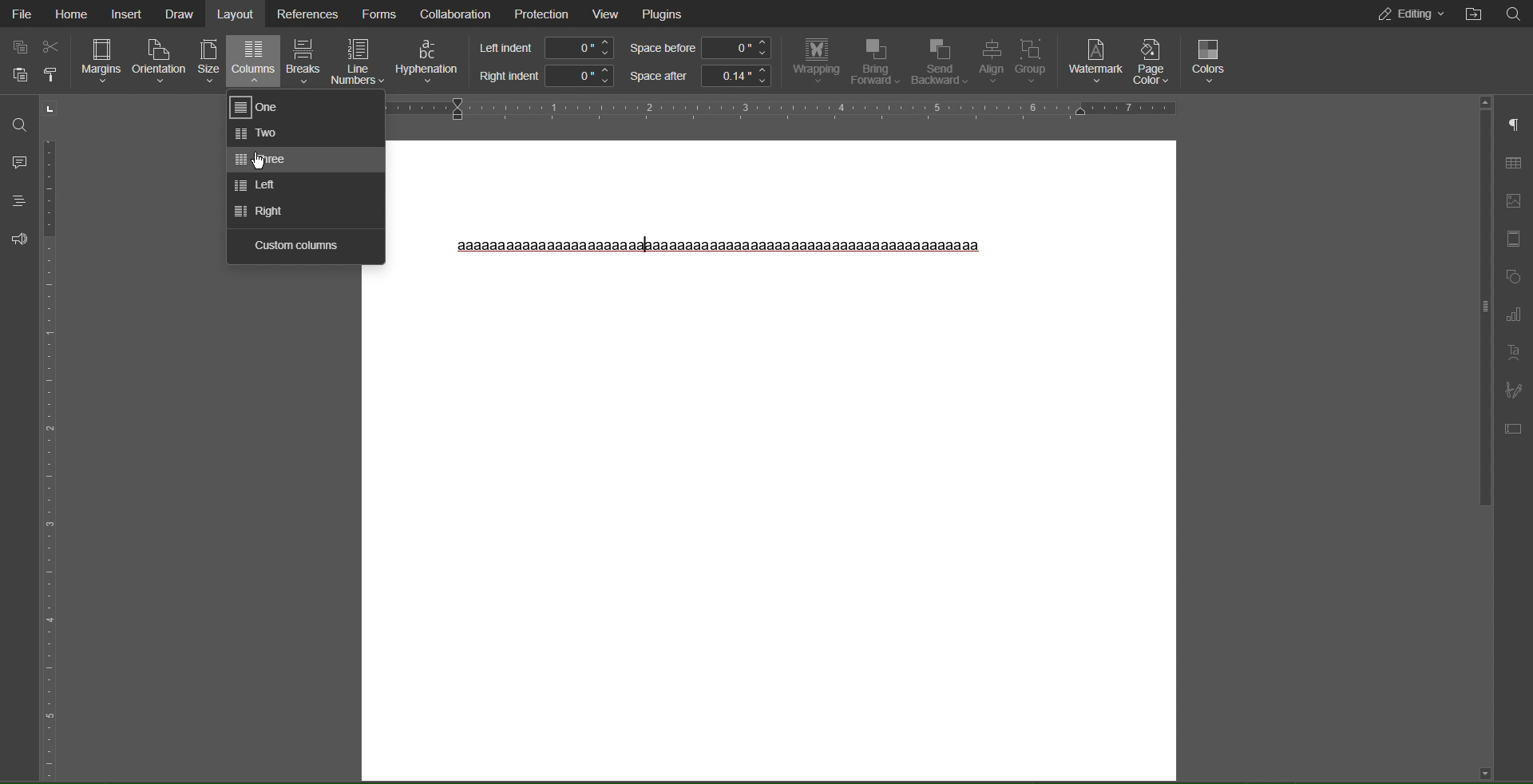 The width and height of the screenshot is (1533, 784). What do you see at coordinates (160, 62) in the screenshot?
I see `Orientation` at bounding box center [160, 62].